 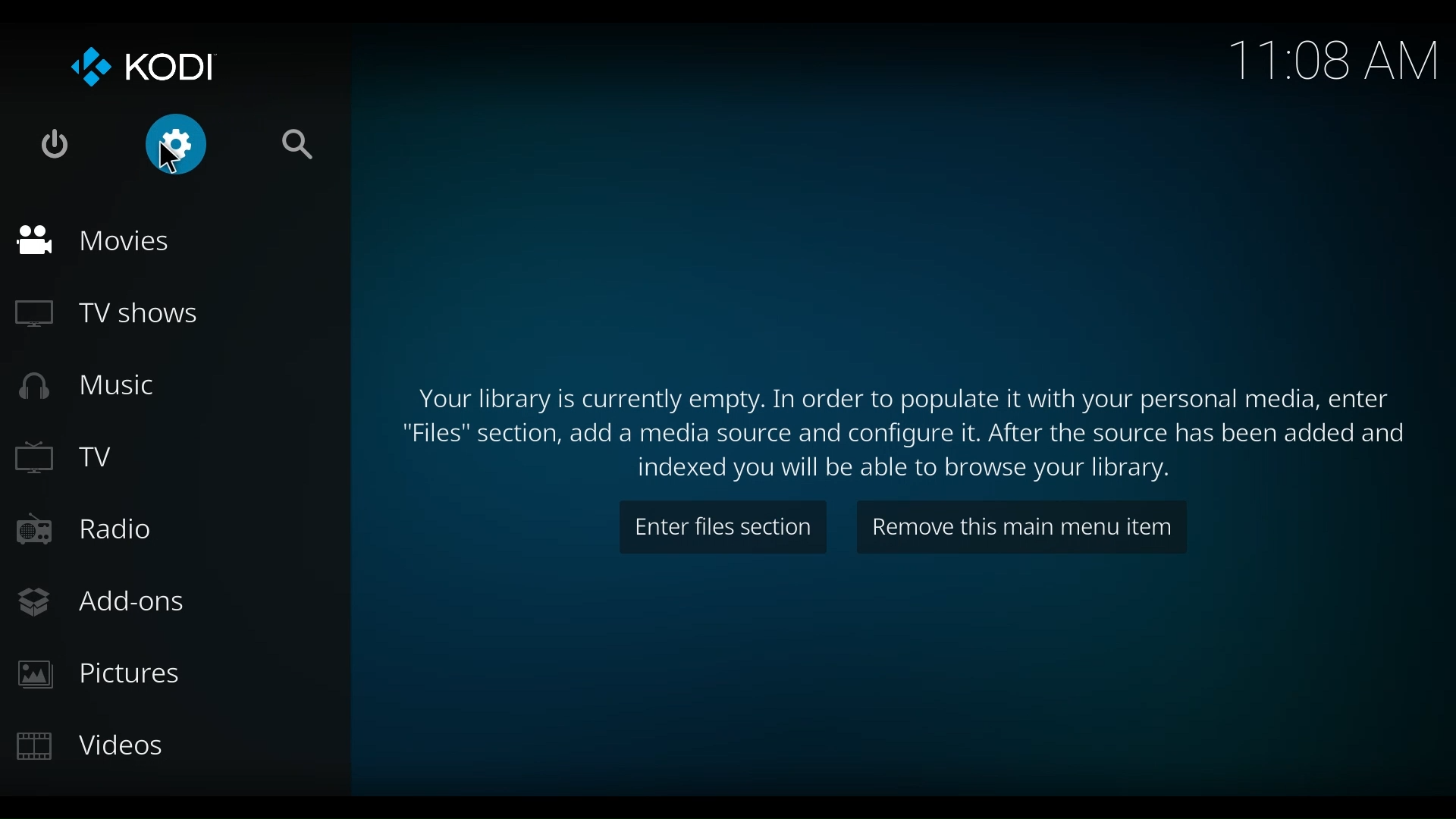 What do you see at coordinates (143, 67) in the screenshot?
I see `KODI` at bounding box center [143, 67].